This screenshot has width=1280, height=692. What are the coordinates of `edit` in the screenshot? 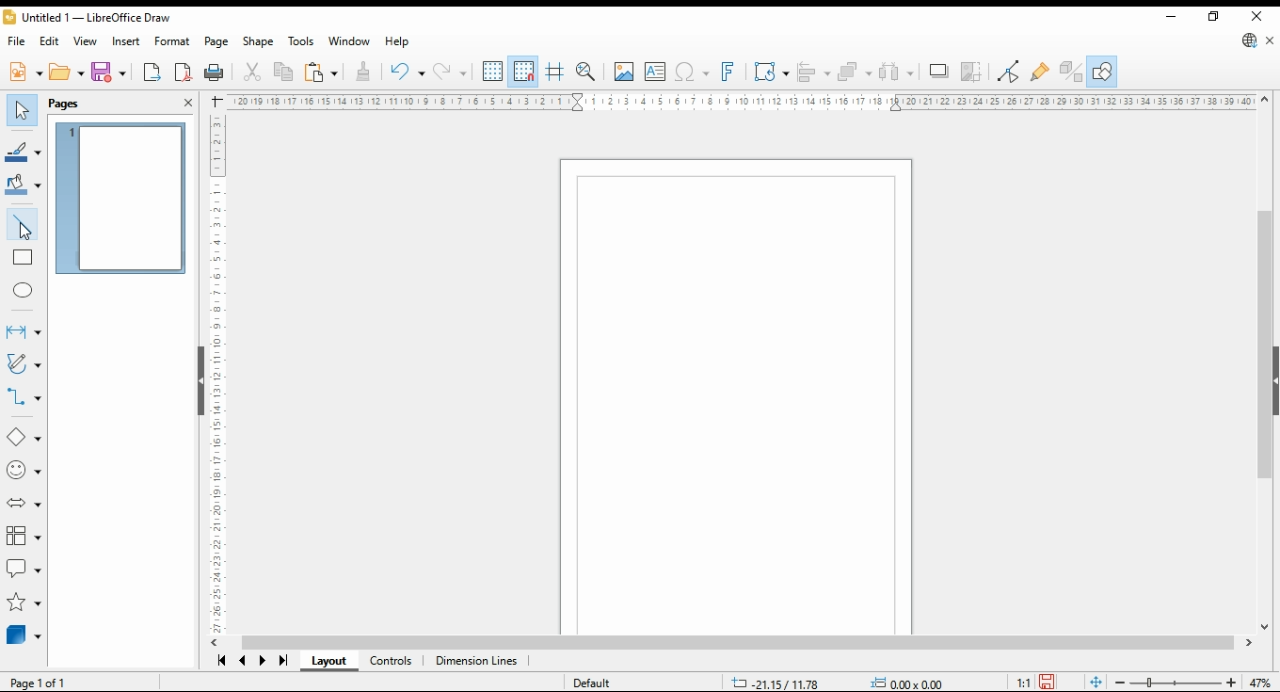 It's located at (50, 40).